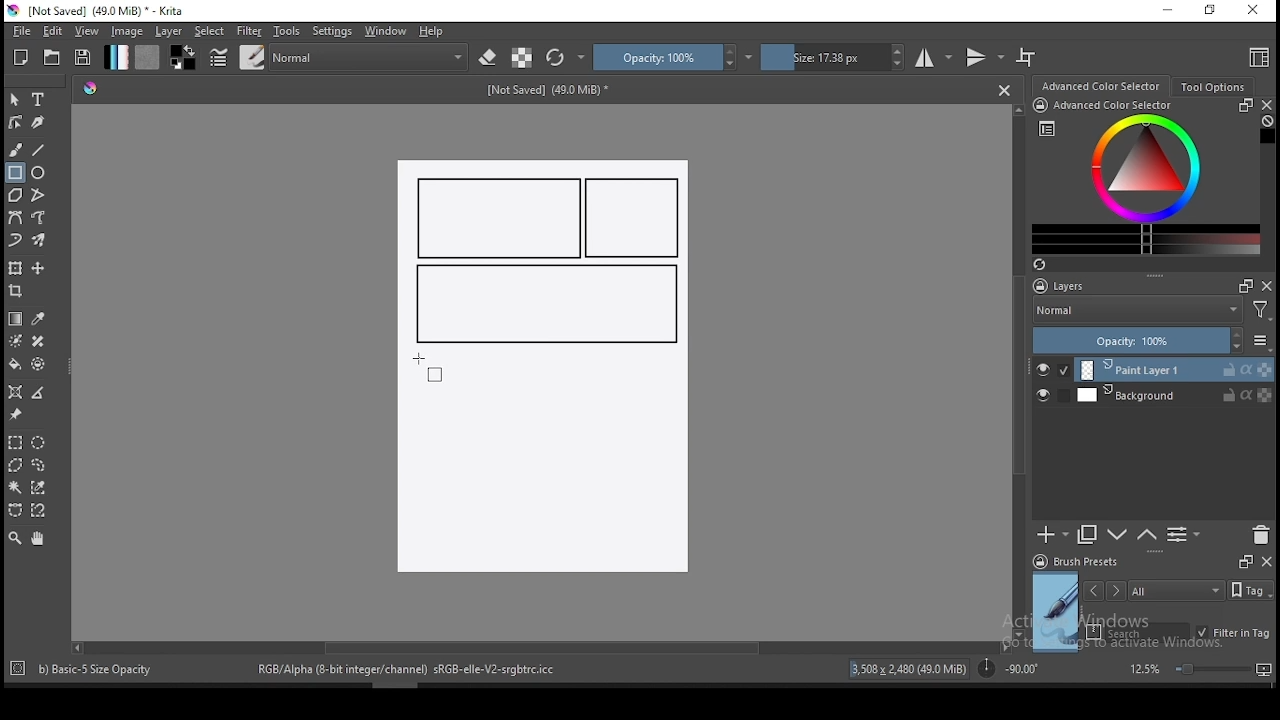  Describe the element at coordinates (39, 121) in the screenshot. I see `calligraphy` at that location.